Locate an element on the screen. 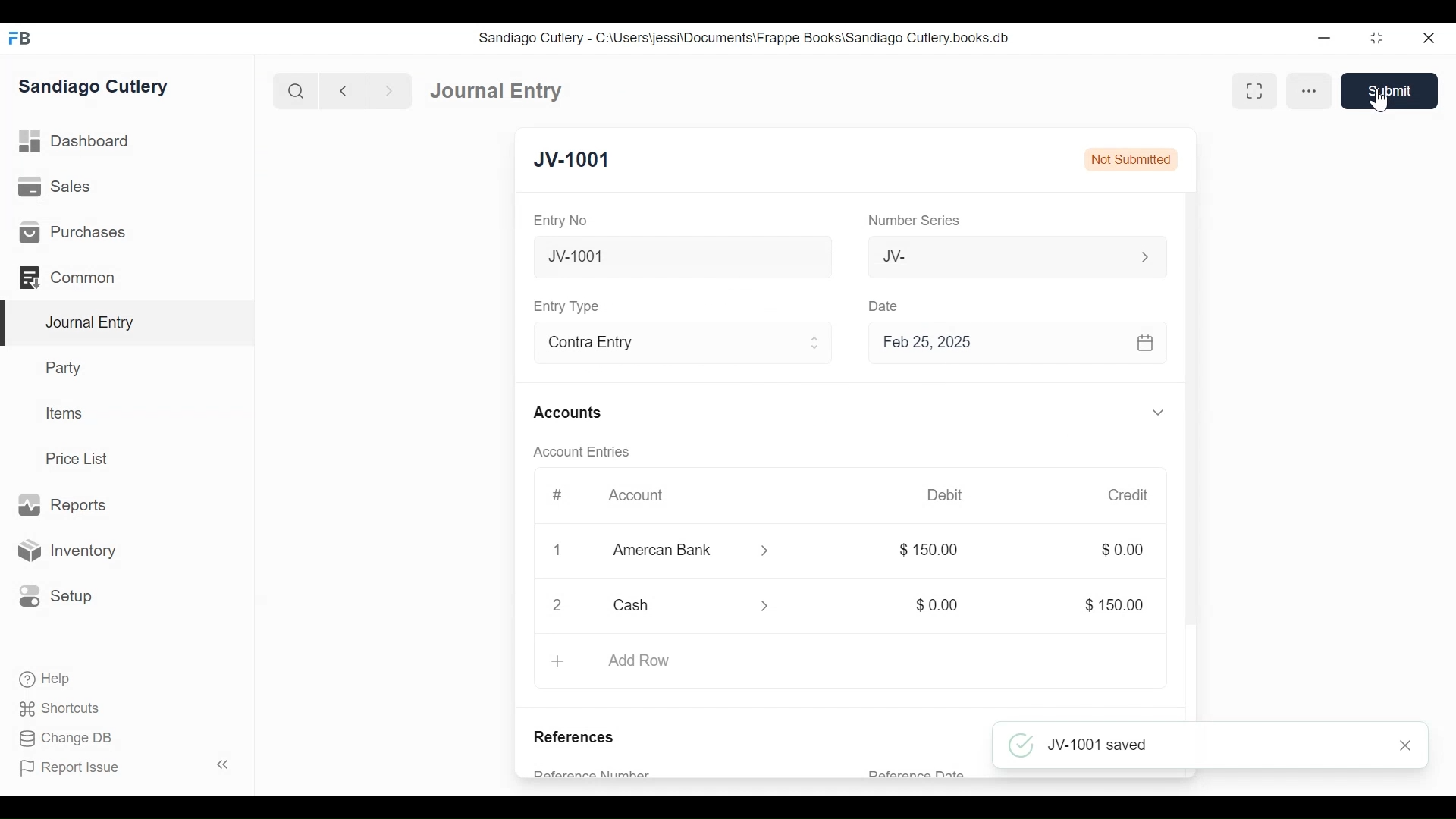 Image resolution: width=1456 pixels, height=819 pixels. Party is located at coordinates (67, 367).